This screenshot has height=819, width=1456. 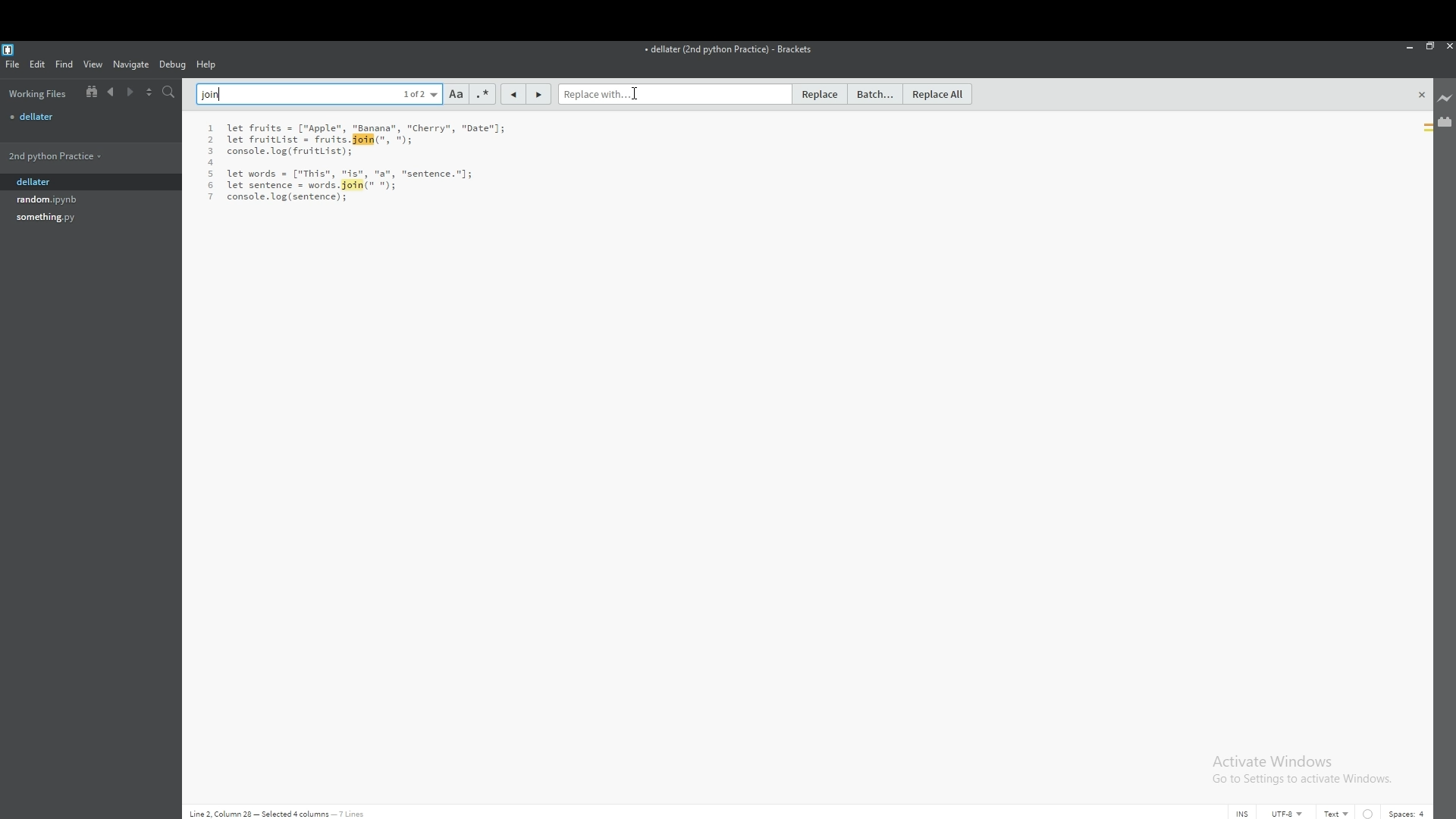 What do you see at coordinates (636, 93) in the screenshot?
I see `cursor` at bounding box center [636, 93].